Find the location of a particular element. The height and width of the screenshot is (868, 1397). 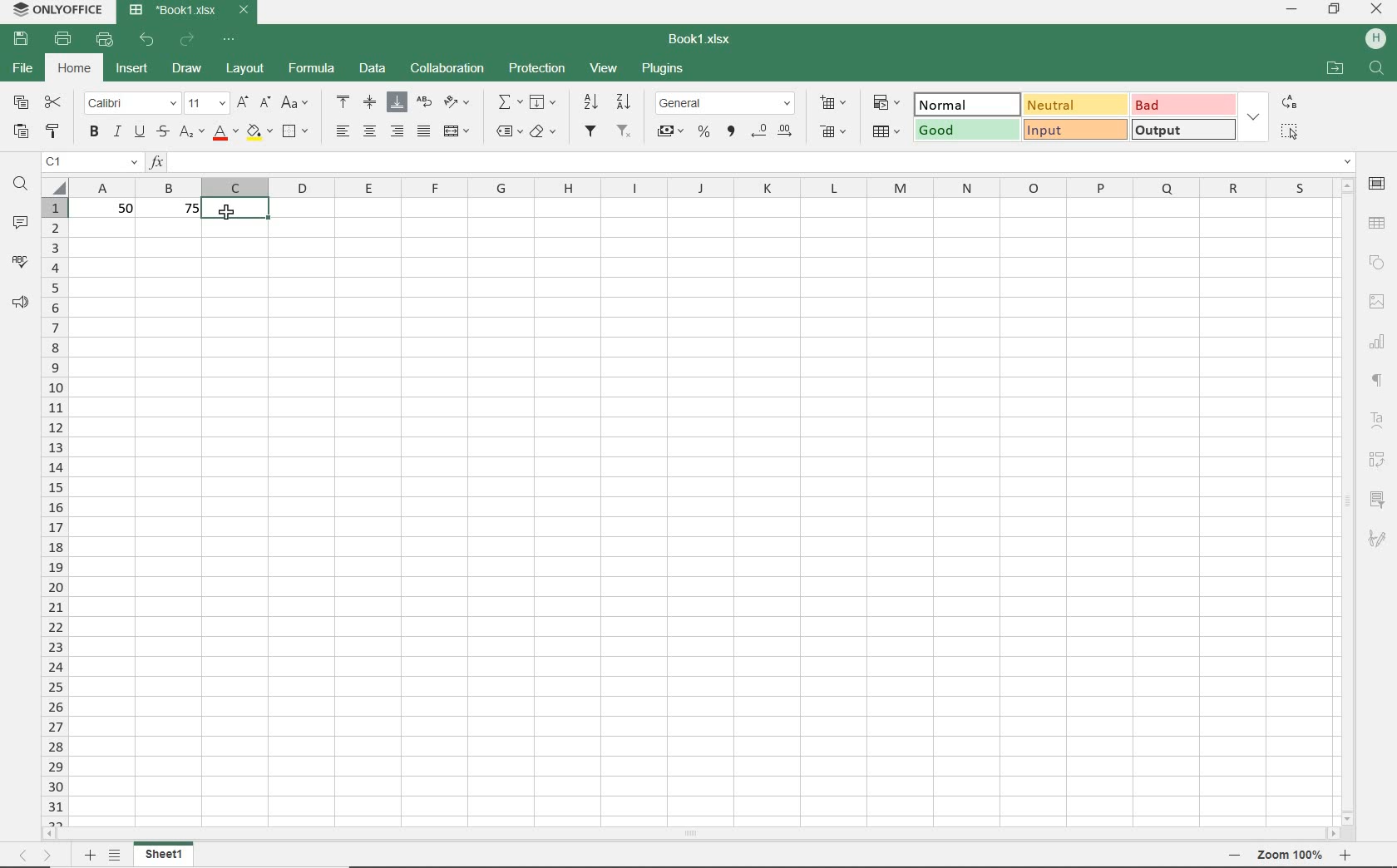

file is located at coordinates (21, 70).